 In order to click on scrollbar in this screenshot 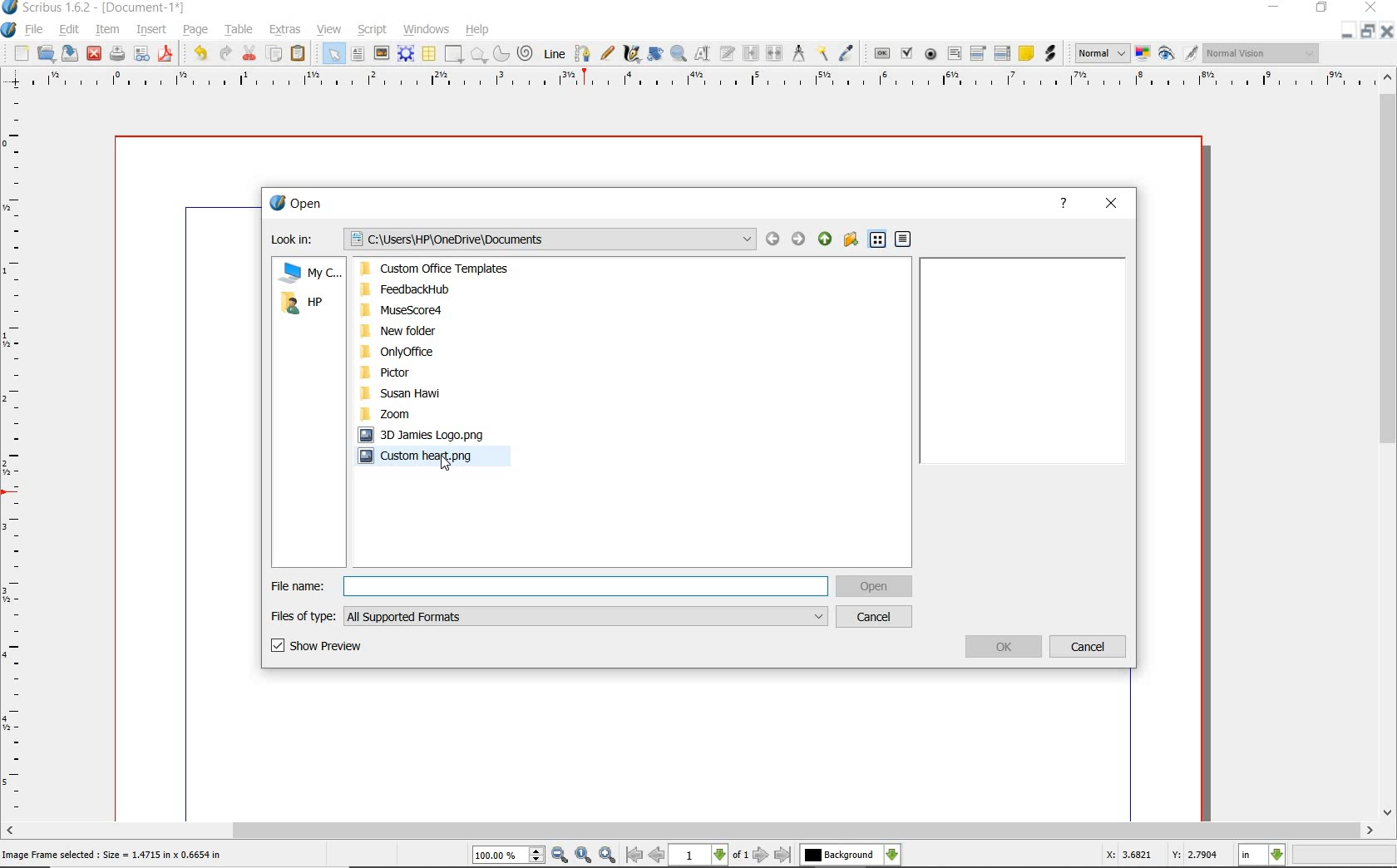, I will do `click(689, 831)`.